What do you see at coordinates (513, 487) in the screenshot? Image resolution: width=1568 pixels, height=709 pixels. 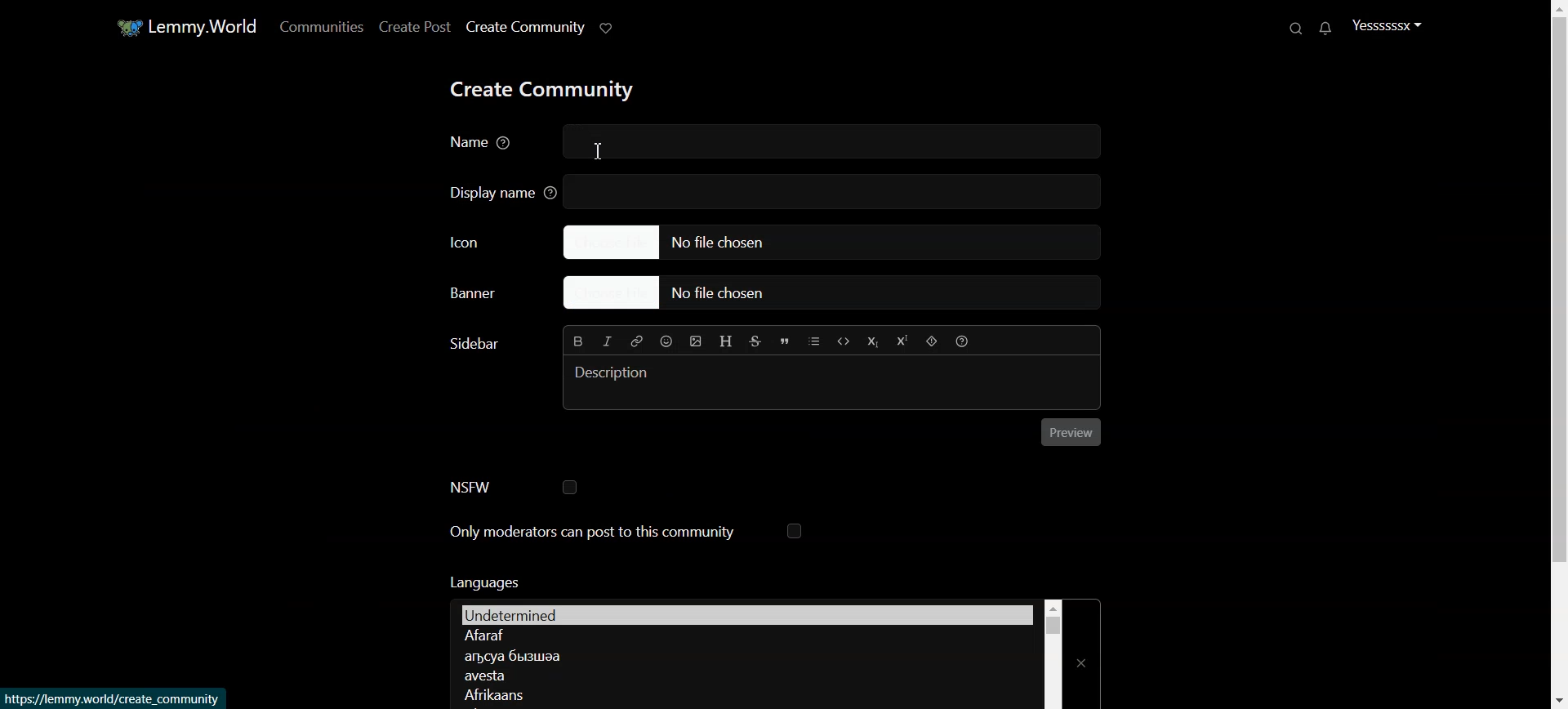 I see `NSFW` at bounding box center [513, 487].